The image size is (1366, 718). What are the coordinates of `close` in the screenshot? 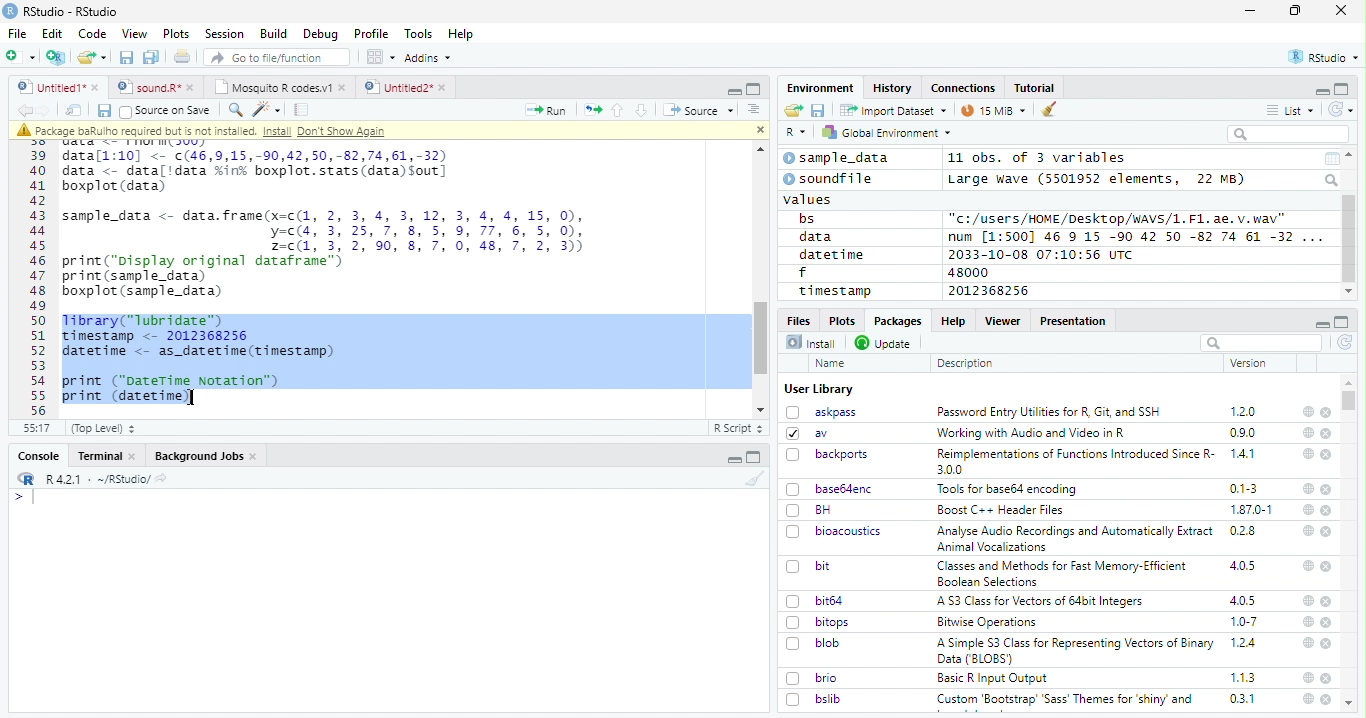 It's located at (1328, 602).